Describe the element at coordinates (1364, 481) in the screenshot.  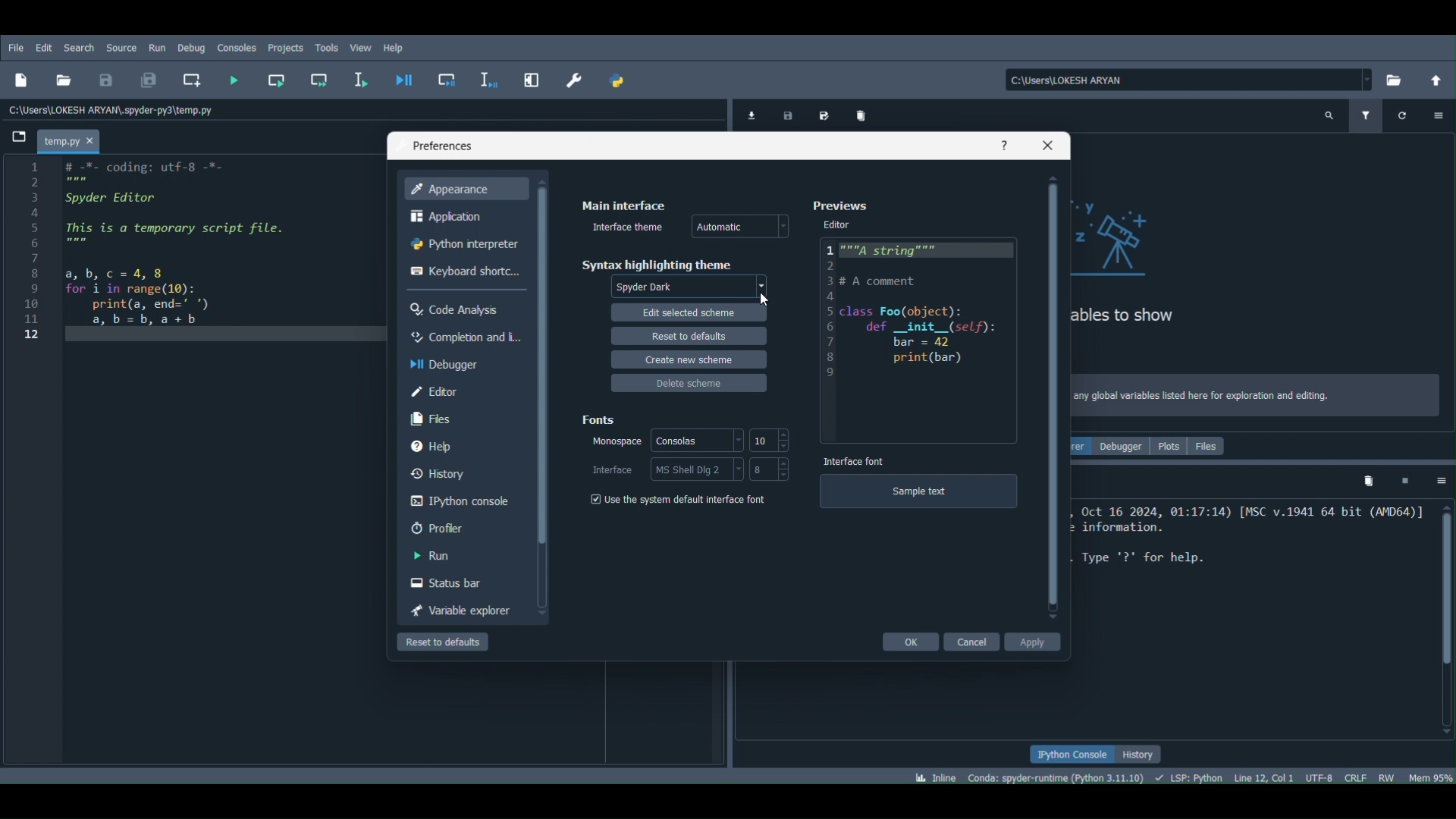
I see `Remove all variables` at that location.